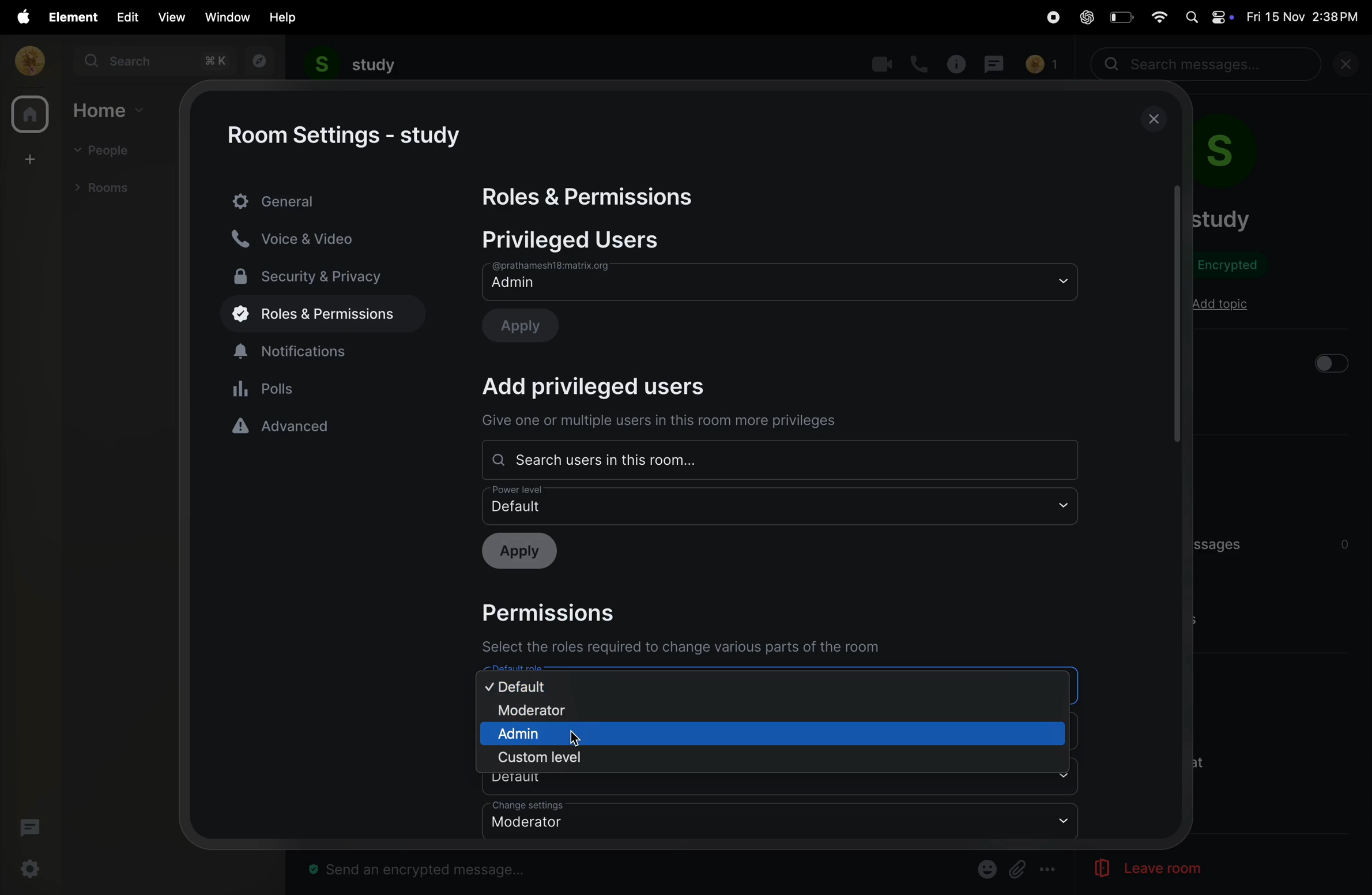 This screenshot has height=895, width=1372. What do you see at coordinates (284, 17) in the screenshot?
I see `help` at bounding box center [284, 17].